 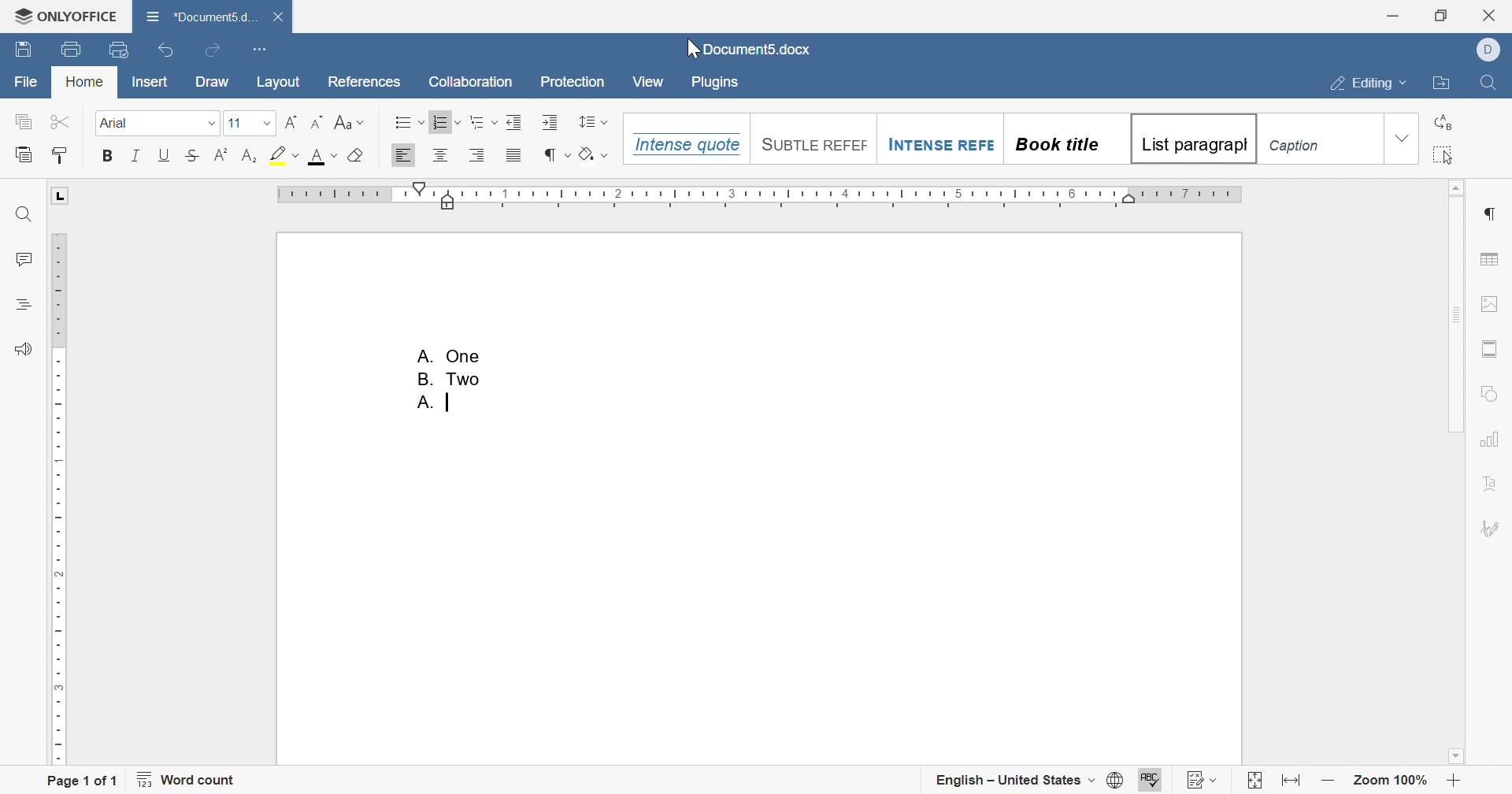 What do you see at coordinates (213, 84) in the screenshot?
I see `draw` at bounding box center [213, 84].